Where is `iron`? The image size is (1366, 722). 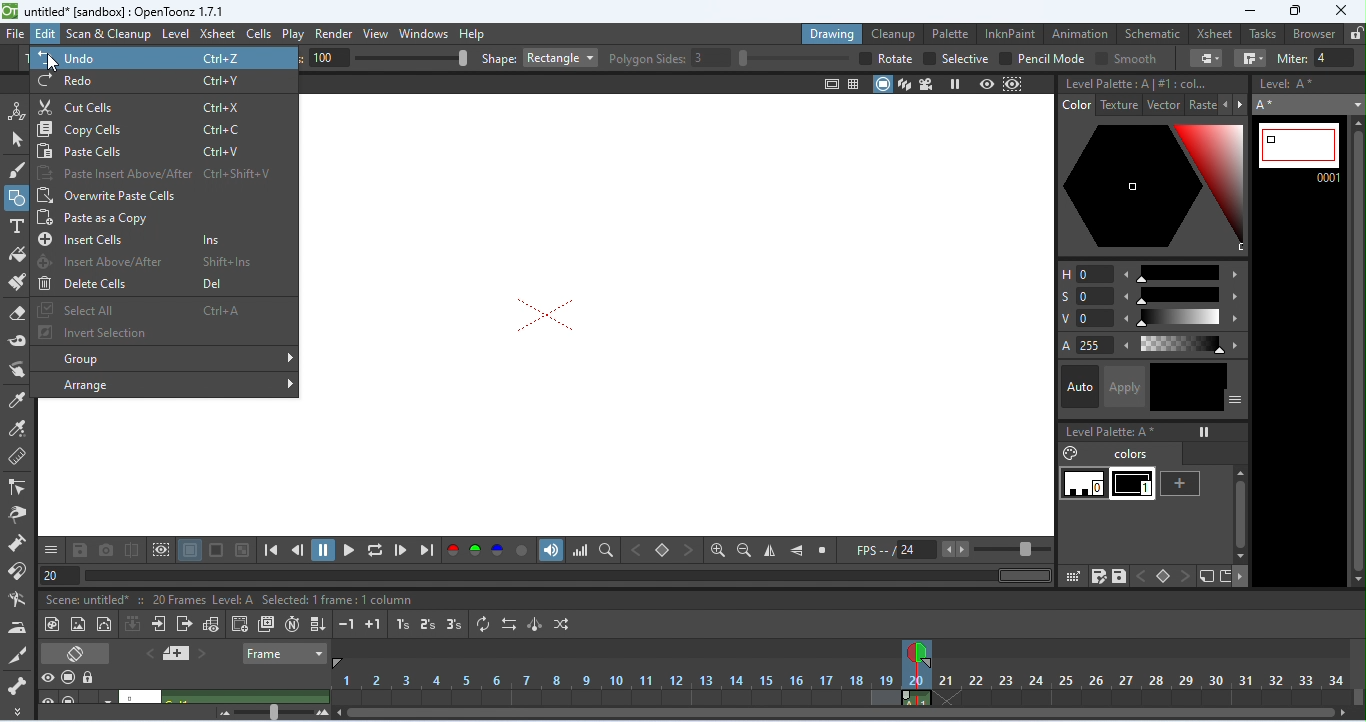 iron is located at coordinates (17, 627).